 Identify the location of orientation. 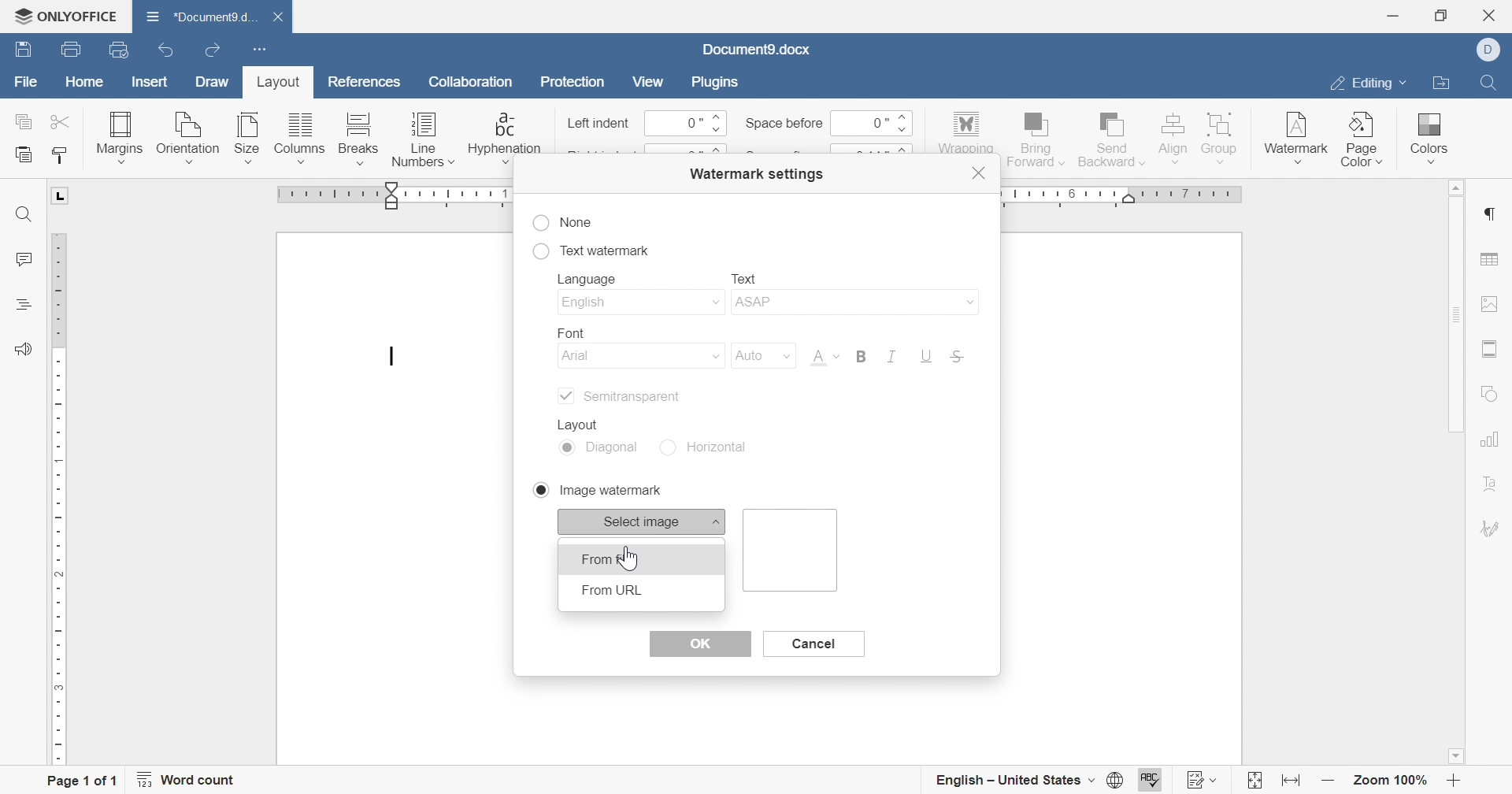
(187, 139).